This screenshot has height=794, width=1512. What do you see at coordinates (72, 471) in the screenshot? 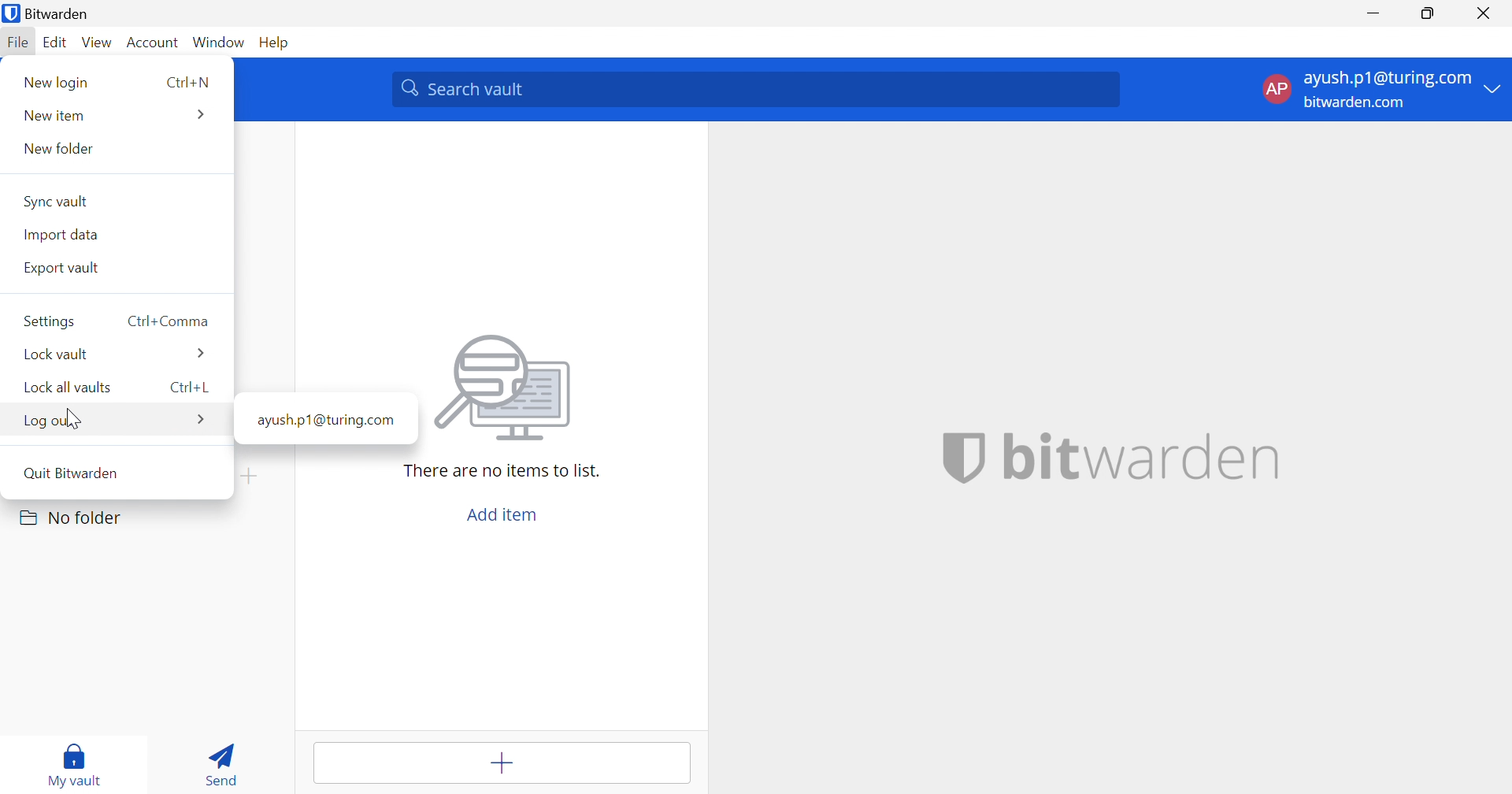
I see `Quit Bitwarden` at bounding box center [72, 471].